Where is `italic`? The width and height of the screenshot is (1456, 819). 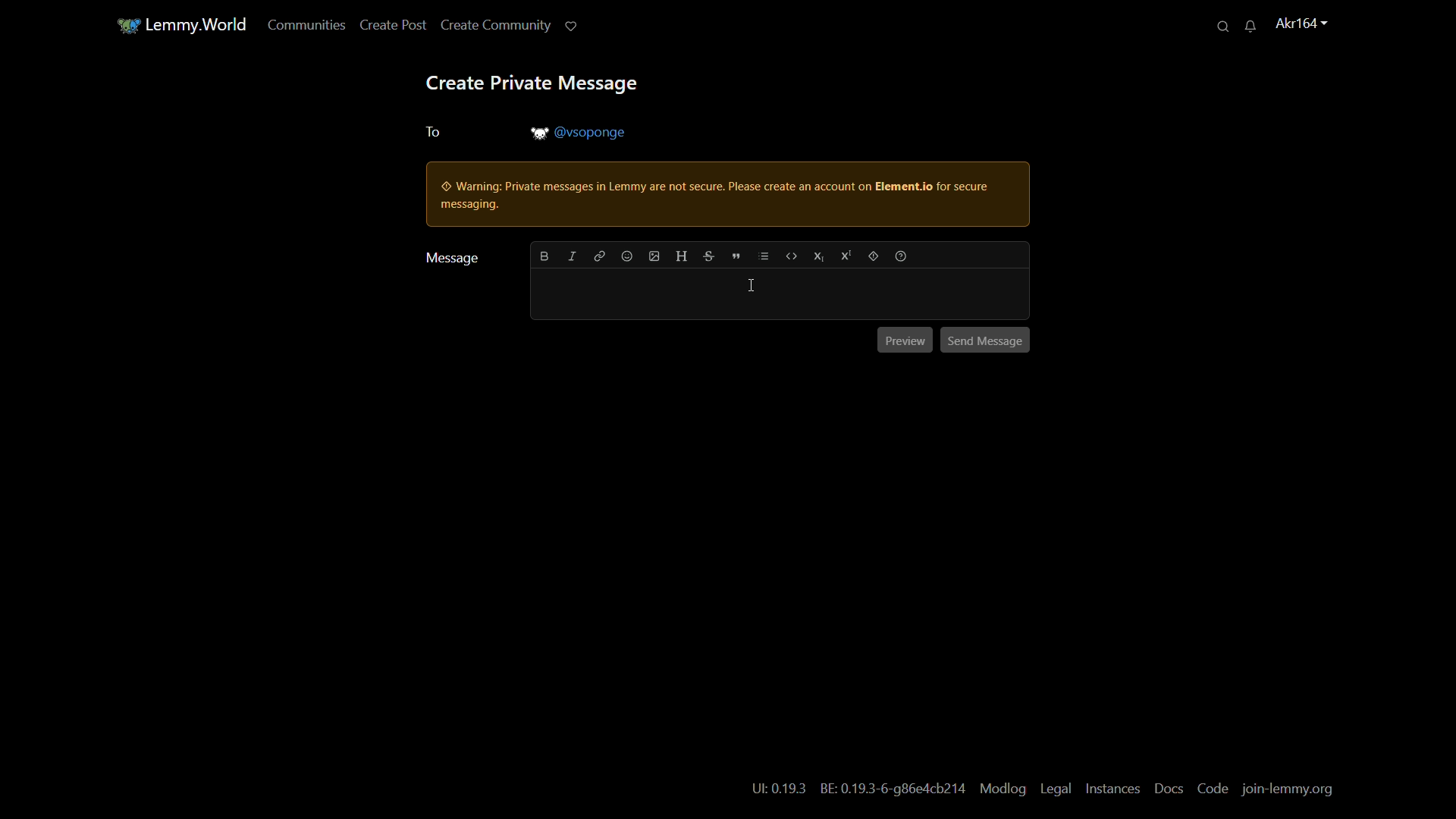
italic is located at coordinates (572, 257).